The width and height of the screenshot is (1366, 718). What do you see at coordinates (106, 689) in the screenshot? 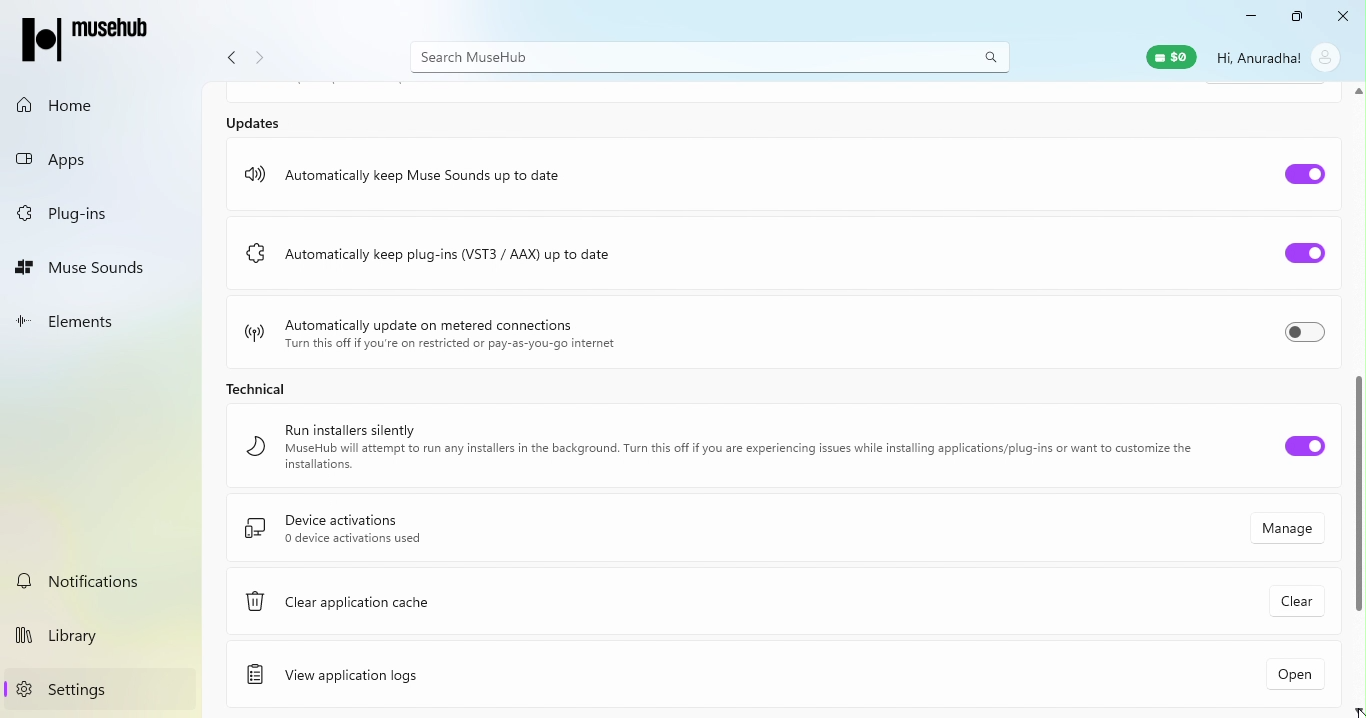
I see `Settings` at bounding box center [106, 689].